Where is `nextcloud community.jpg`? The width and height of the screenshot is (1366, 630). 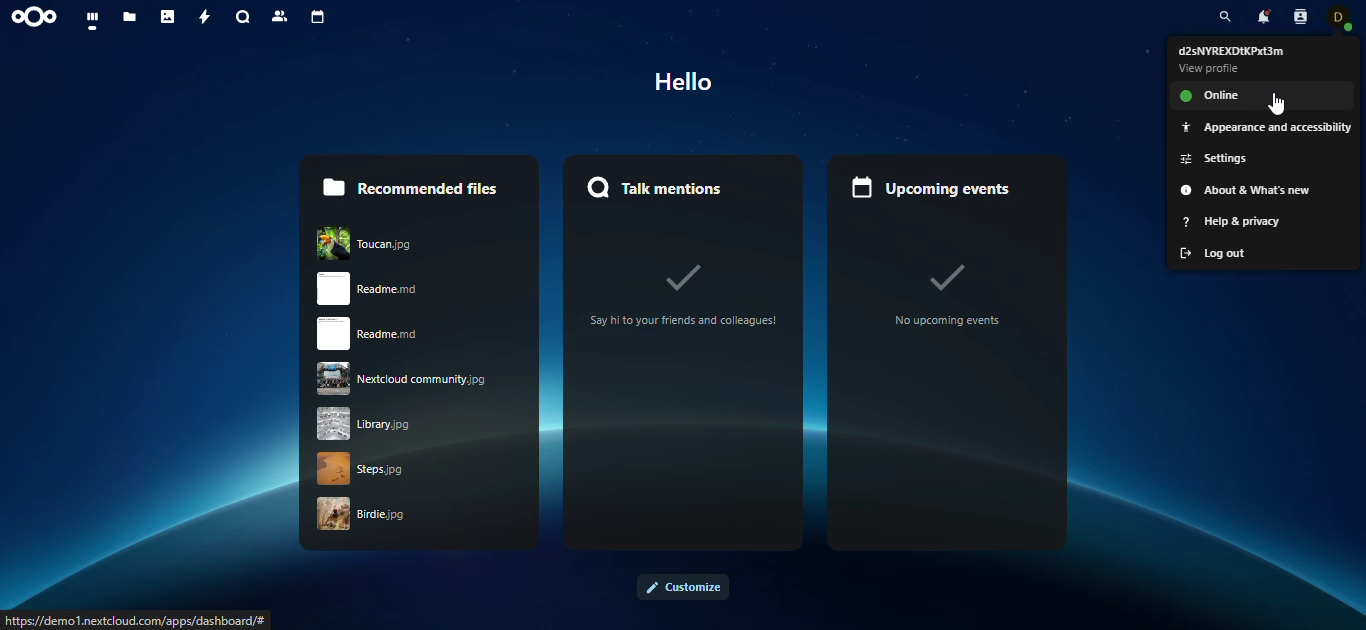 nextcloud community.jpg is located at coordinates (408, 378).